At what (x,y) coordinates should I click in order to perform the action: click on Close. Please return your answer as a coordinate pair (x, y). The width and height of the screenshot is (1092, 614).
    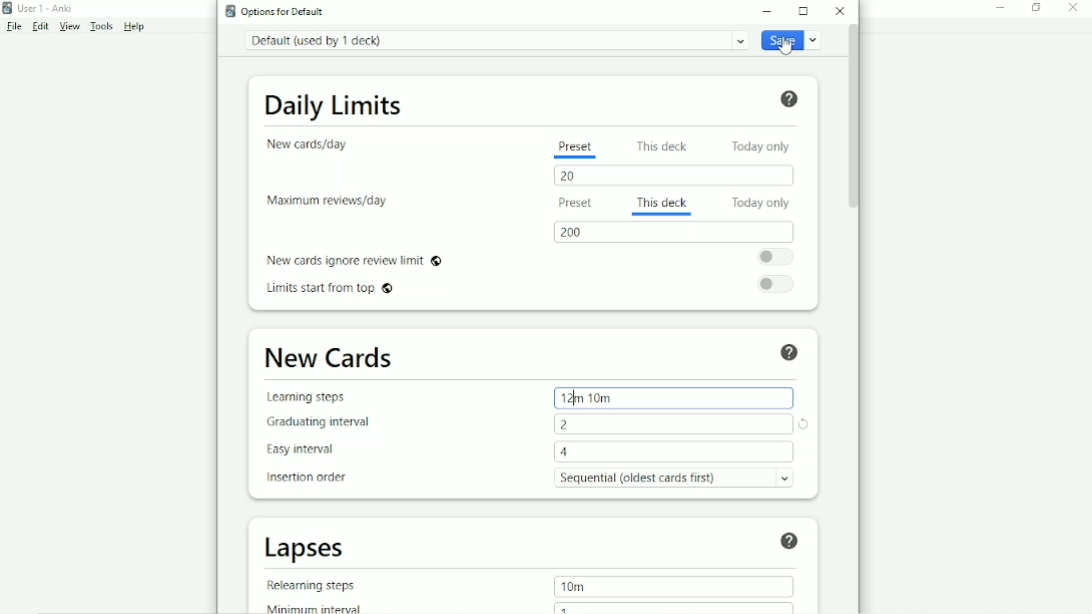
    Looking at the image, I should click on (838, 12).